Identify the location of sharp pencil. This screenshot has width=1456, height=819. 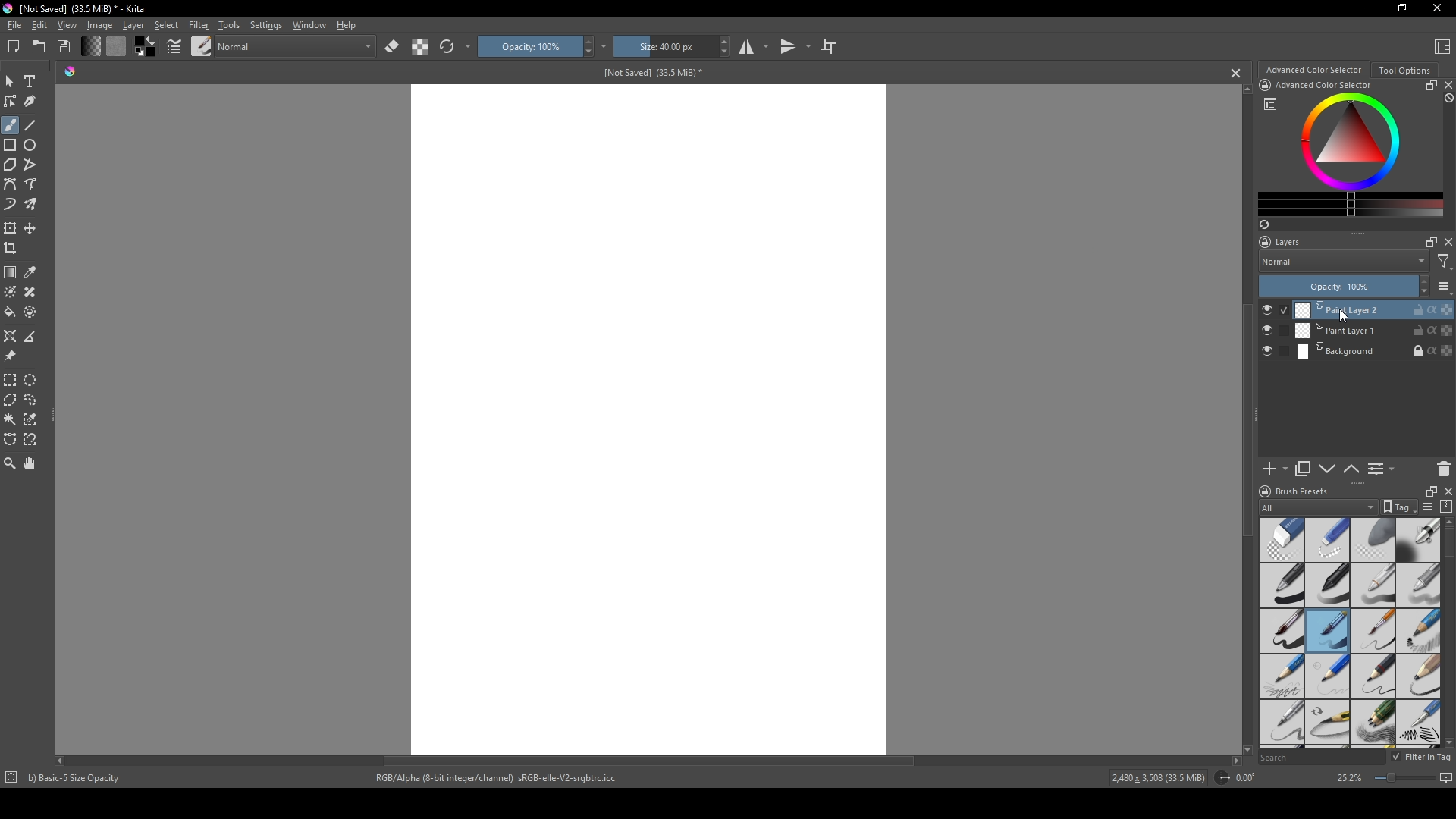
(1281, 723).